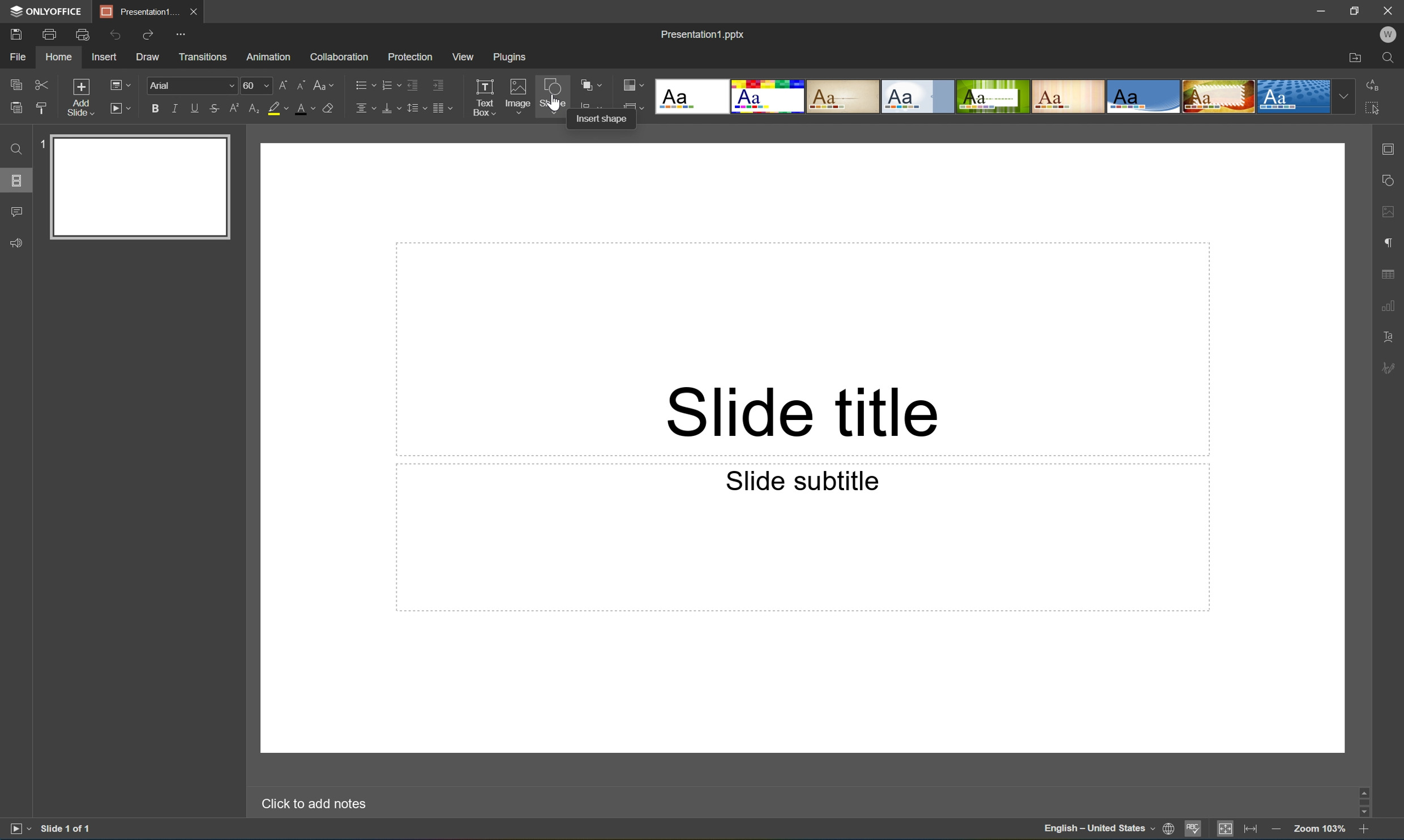 Image resolution: width=1404 pixels, height=840 pixels. I want to click on Change slide layout, so click(121, 84).